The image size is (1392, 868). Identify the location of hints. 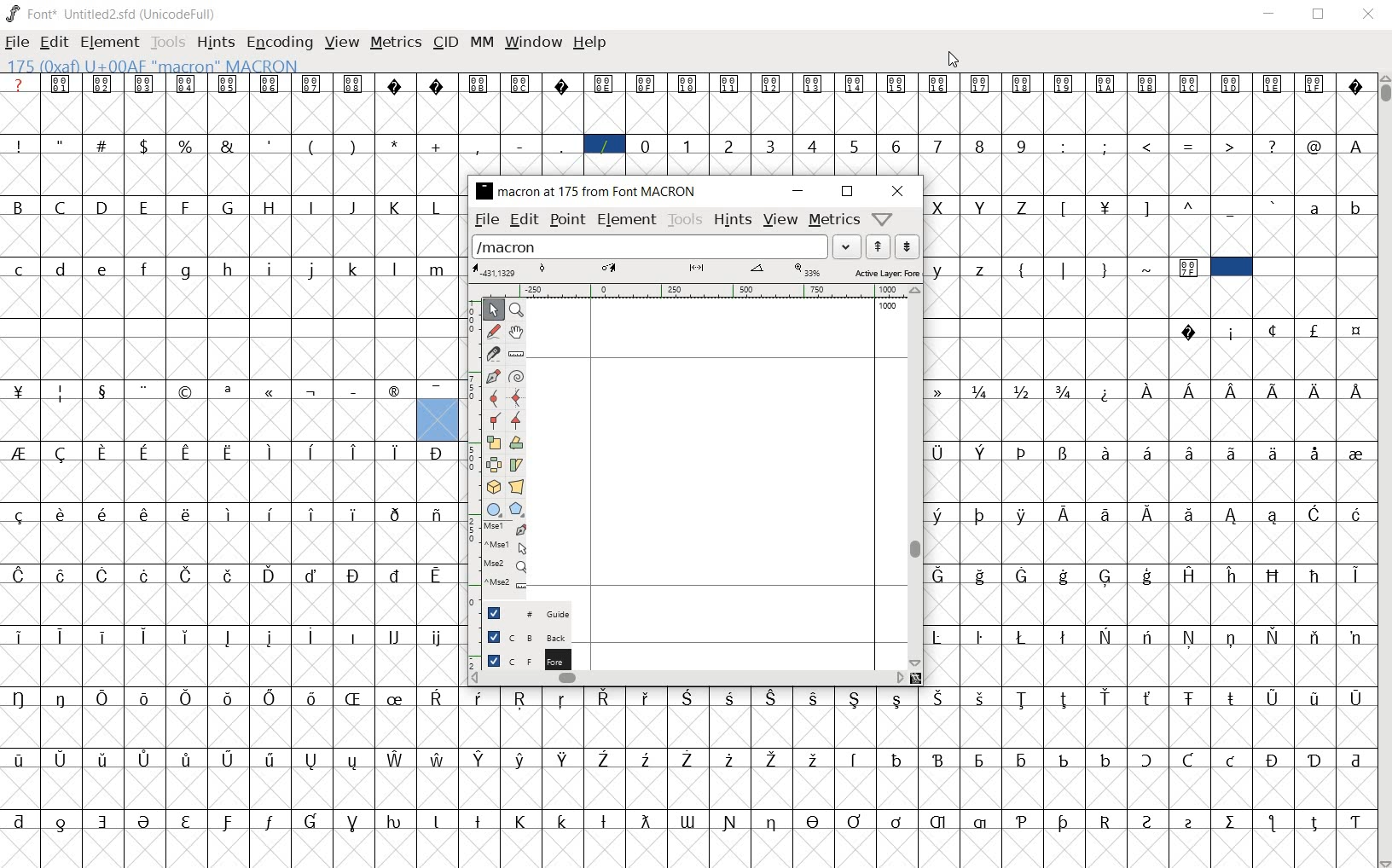
(730, 219).